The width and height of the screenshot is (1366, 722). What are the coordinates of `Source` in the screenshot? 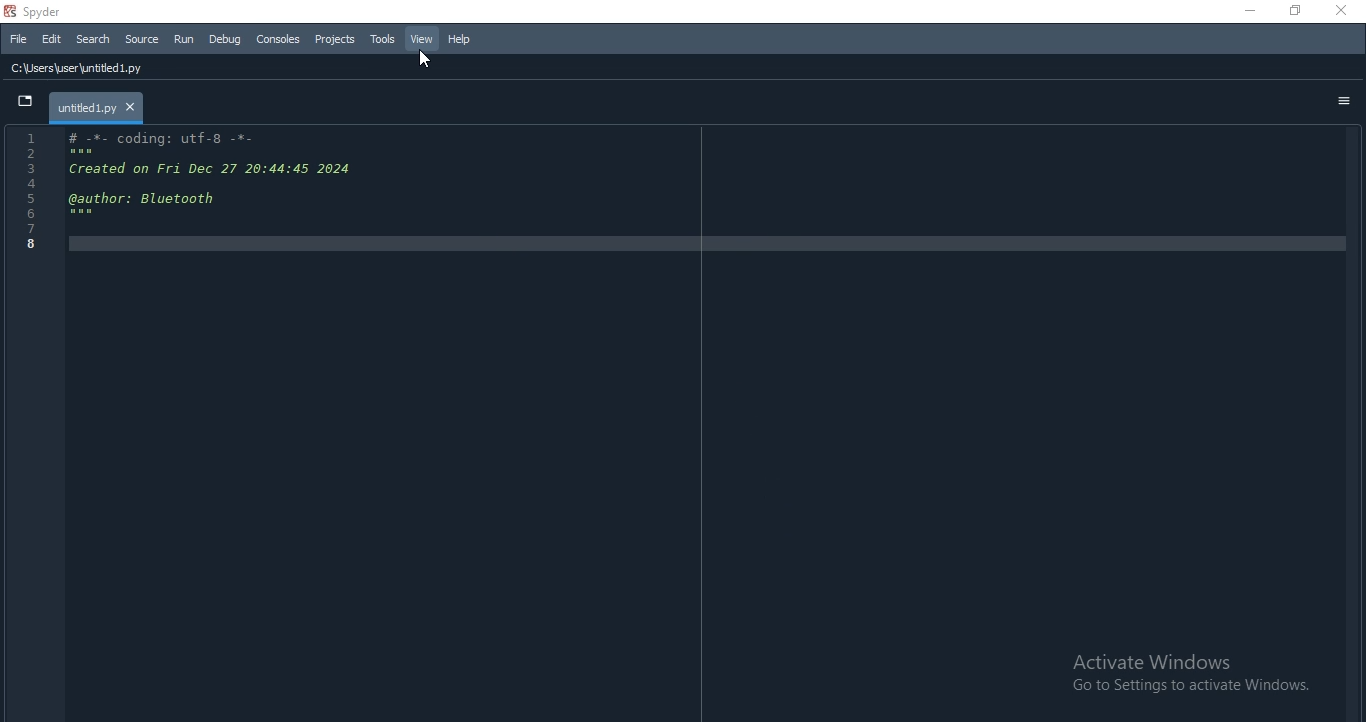 It's located at (143, 39).